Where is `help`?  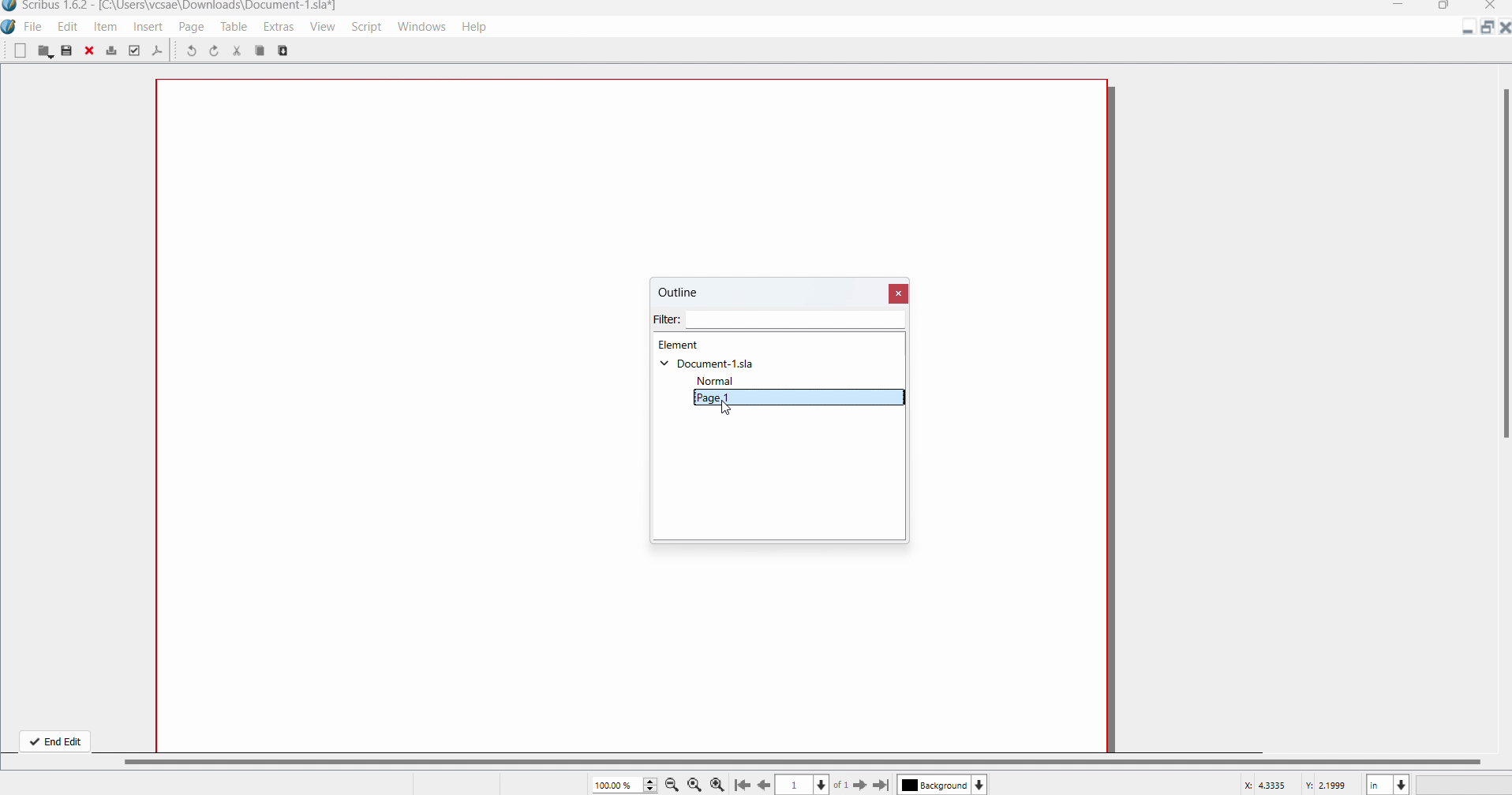
help is located at coordinates (481, 28).